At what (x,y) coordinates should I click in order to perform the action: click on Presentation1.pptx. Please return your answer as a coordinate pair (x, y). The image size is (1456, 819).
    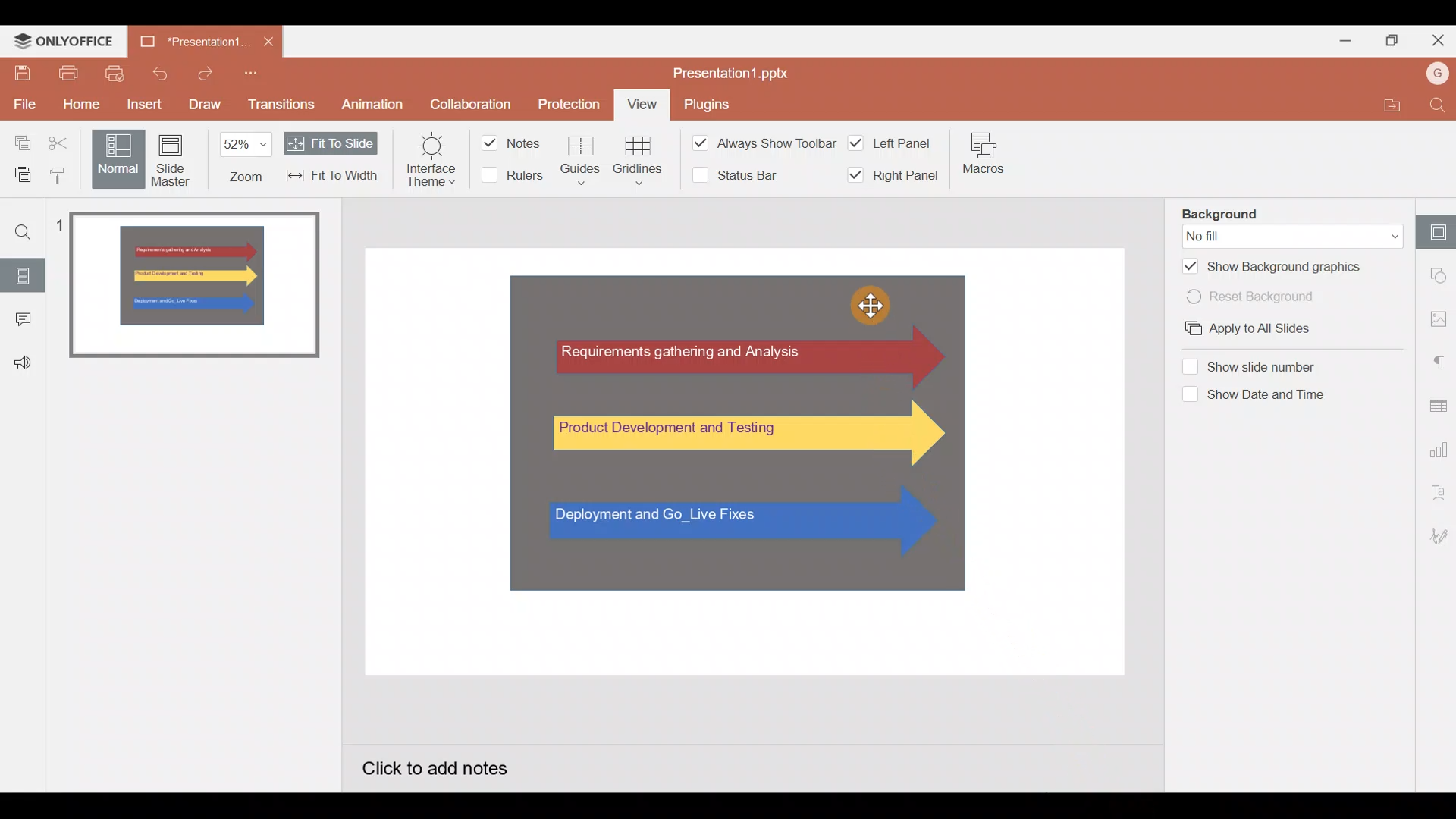
    Looking at the image, I should click on (741, 73).